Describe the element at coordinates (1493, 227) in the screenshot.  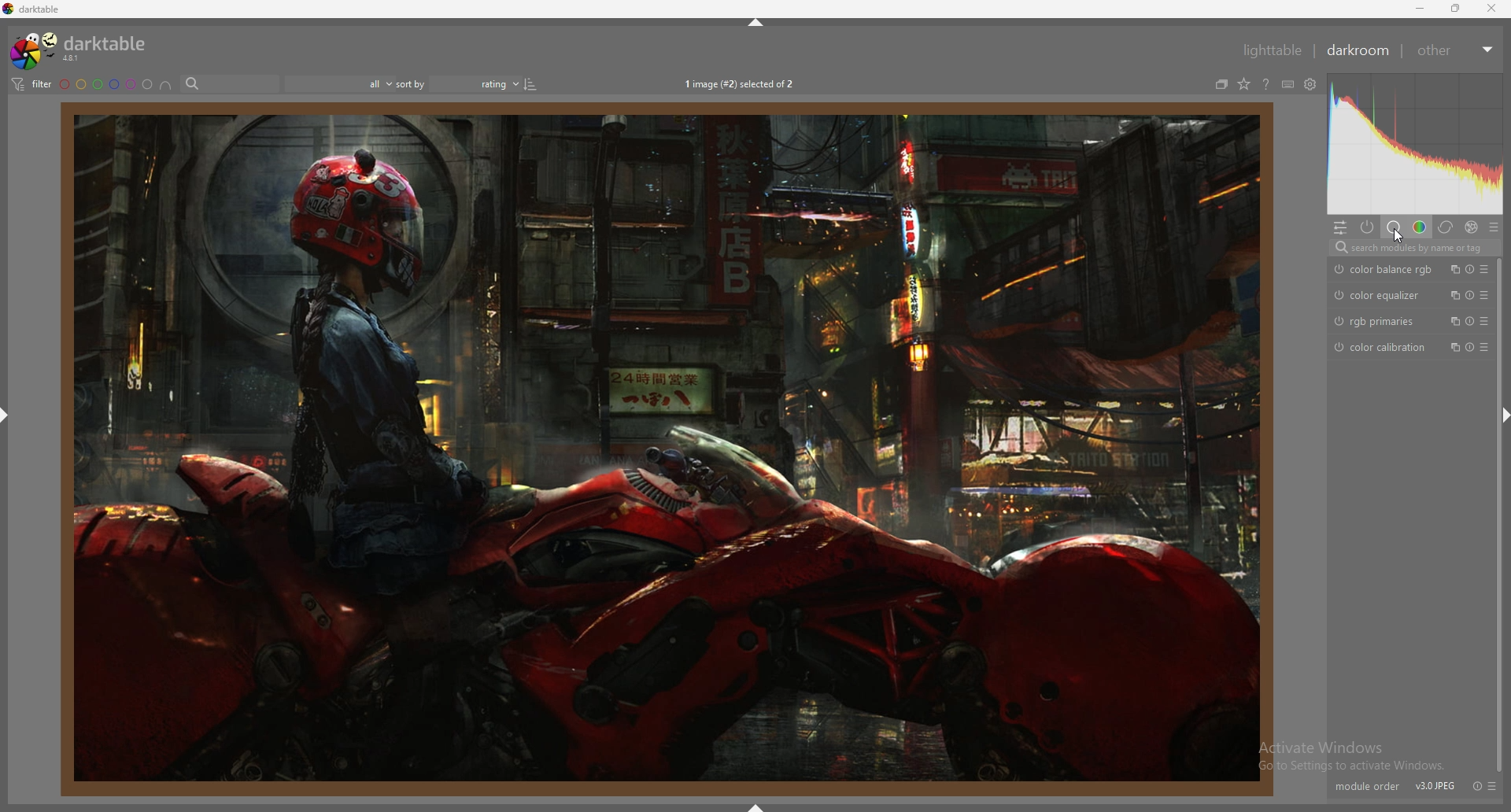
I see `presets` at that location.